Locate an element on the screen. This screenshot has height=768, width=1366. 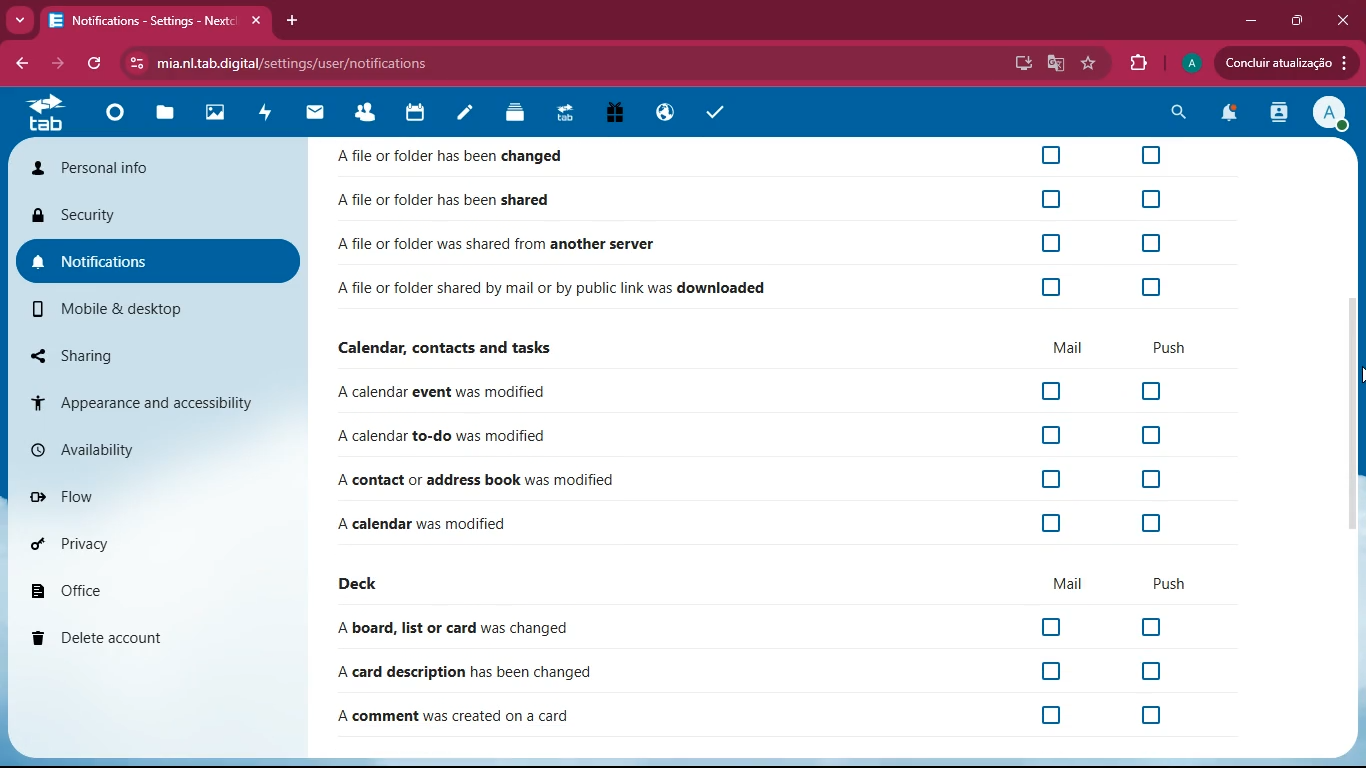
off is located at coordinates (1051, 153).